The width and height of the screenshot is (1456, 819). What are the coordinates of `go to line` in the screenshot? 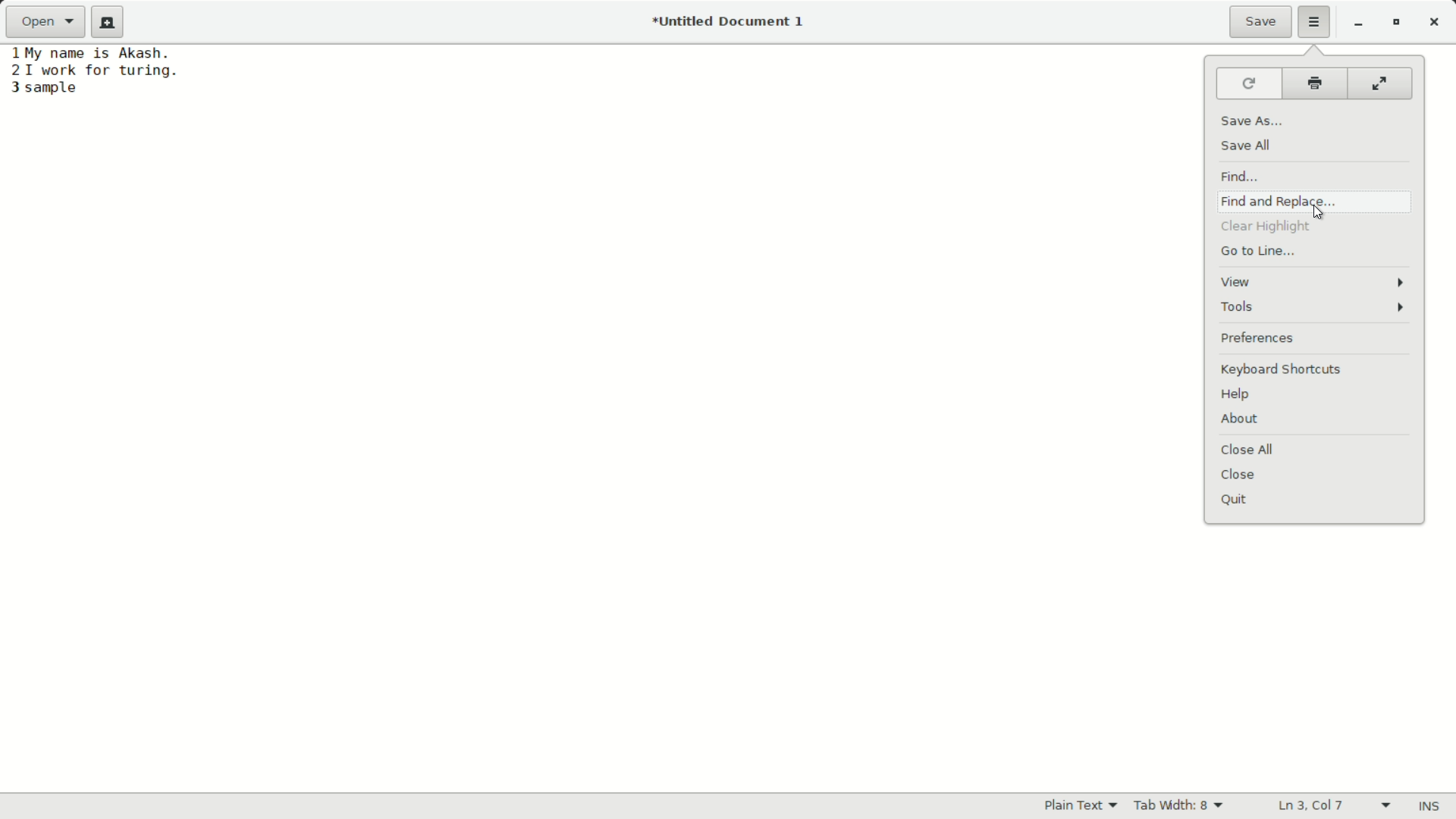 It's located at (1255, 253).